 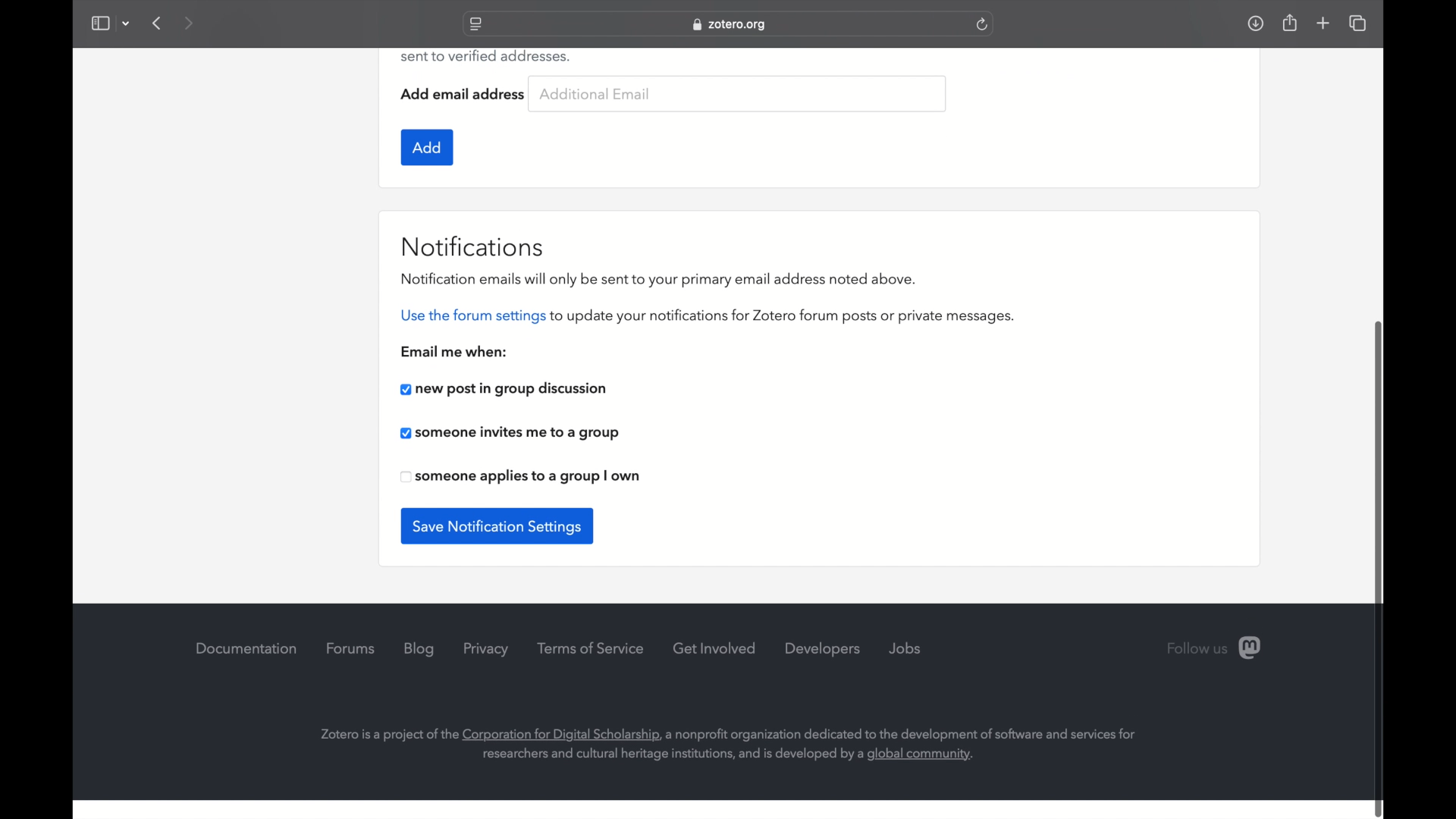 What do you see at coordinates (905, 648) in the screenshot?
I see `jobs` at bounding box center [905, 648].